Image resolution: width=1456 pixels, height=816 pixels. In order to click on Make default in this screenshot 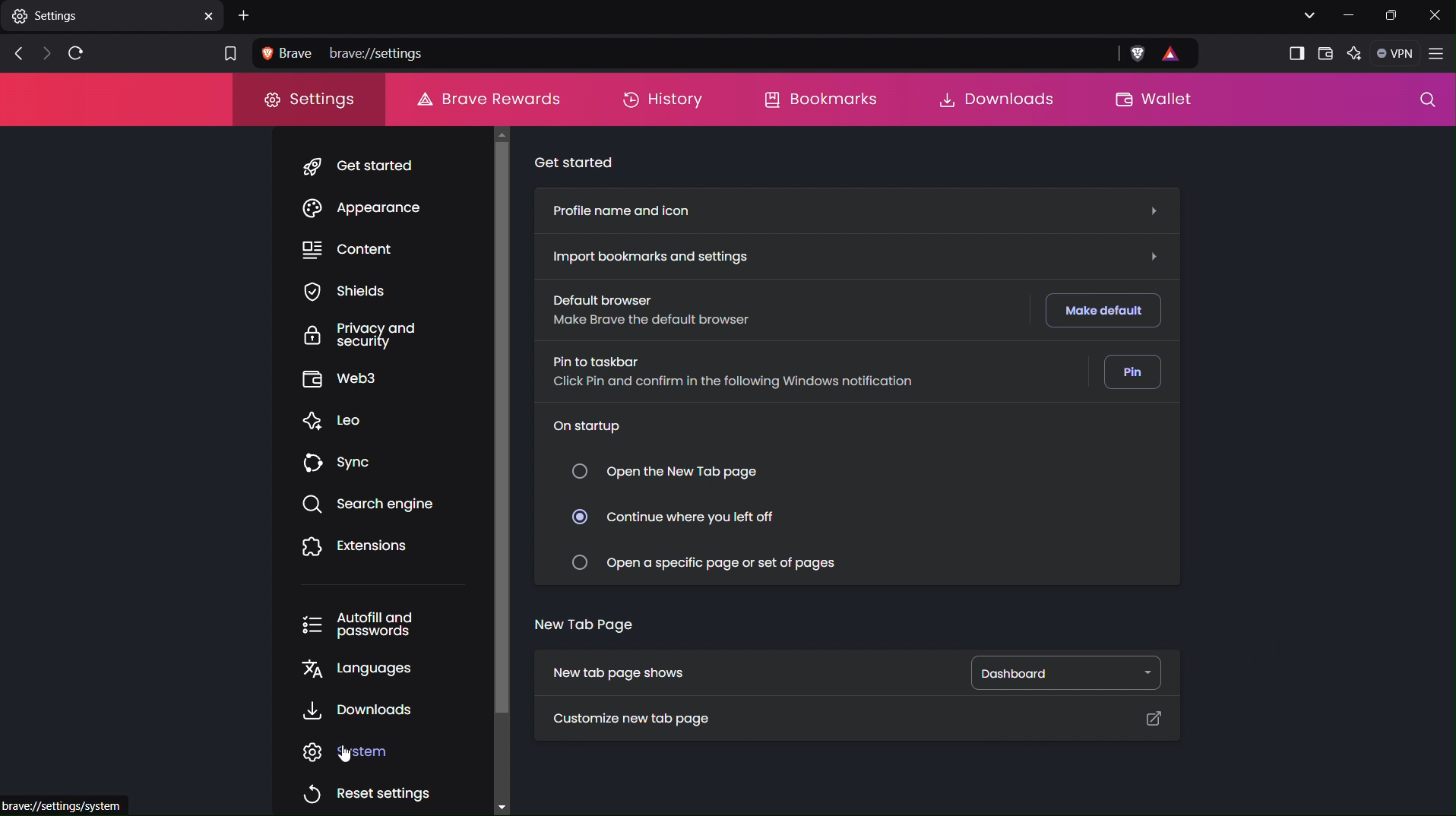, I will do `click(1100, 312)`.